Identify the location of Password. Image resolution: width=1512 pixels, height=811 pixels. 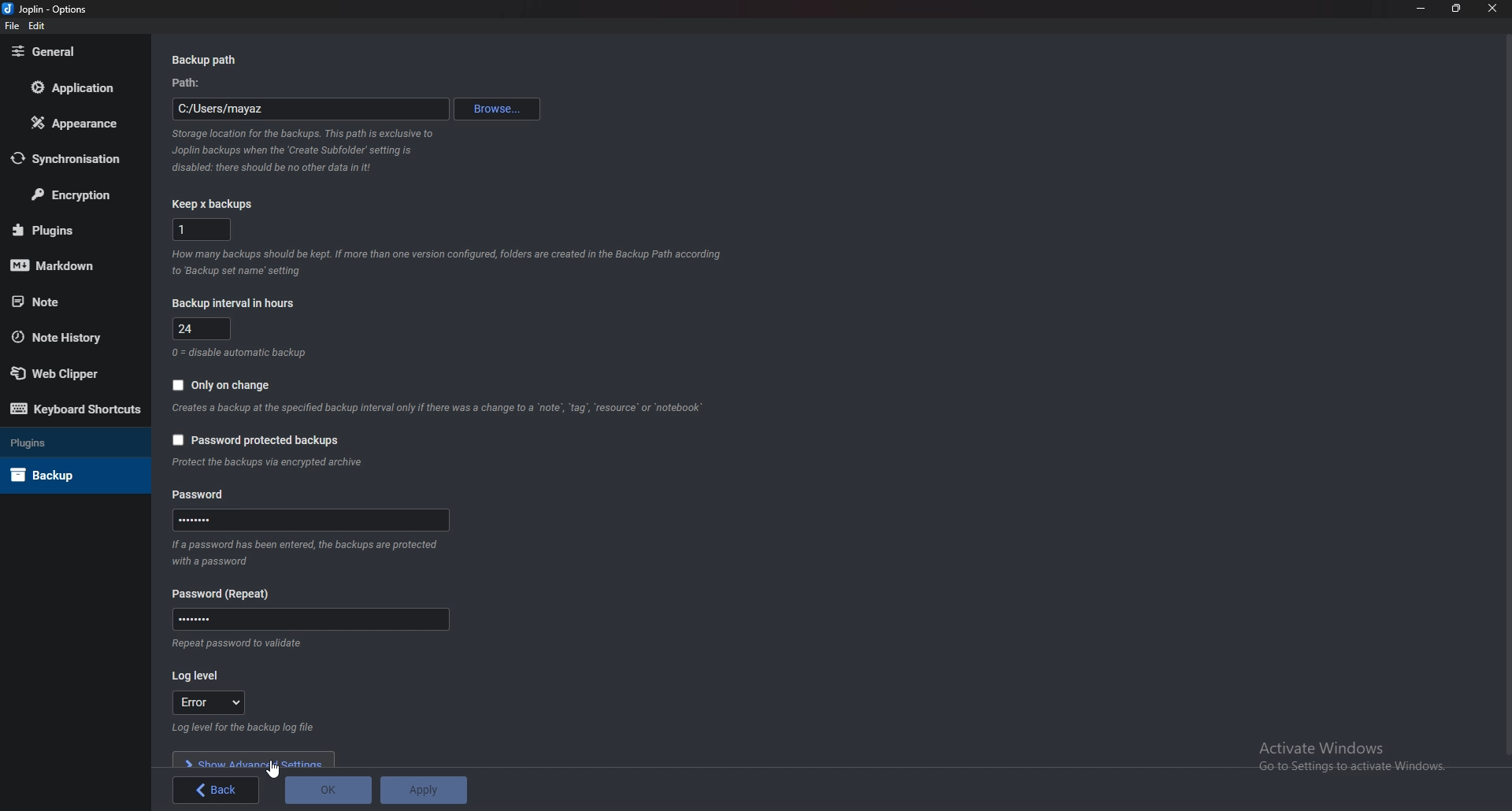
(310, 620).